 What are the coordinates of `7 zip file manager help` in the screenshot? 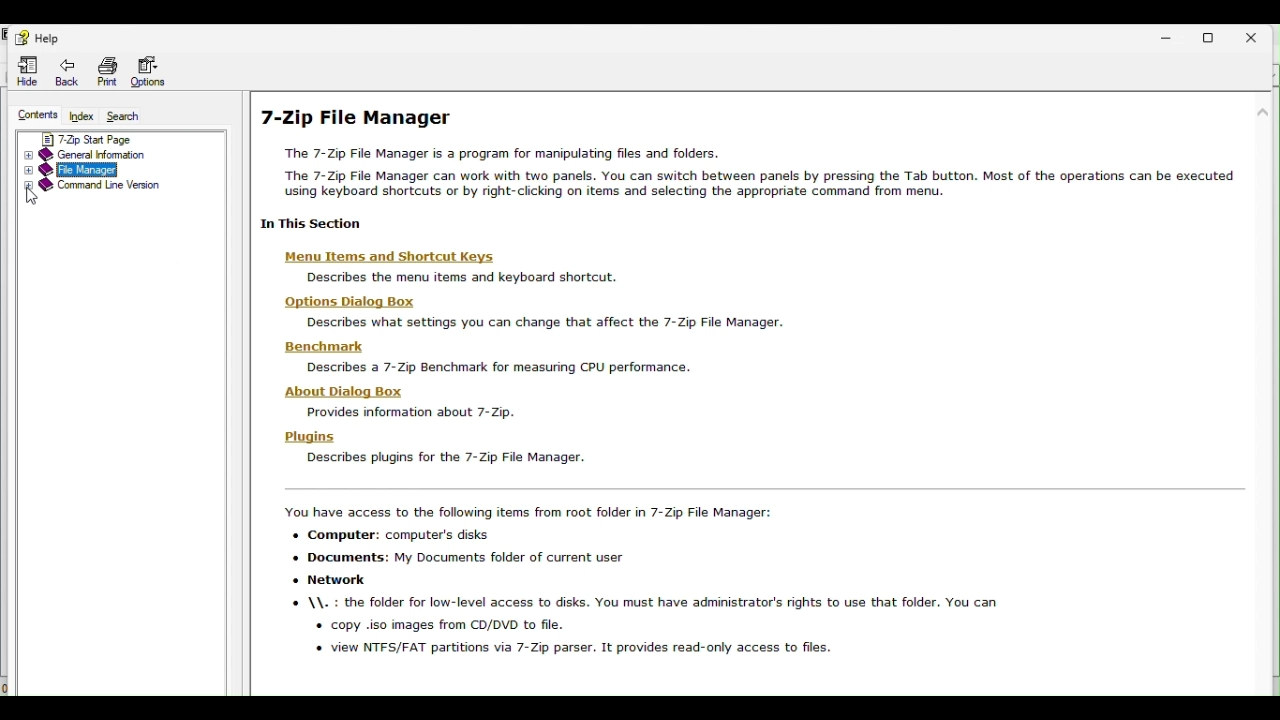 It's located at (363, 114).